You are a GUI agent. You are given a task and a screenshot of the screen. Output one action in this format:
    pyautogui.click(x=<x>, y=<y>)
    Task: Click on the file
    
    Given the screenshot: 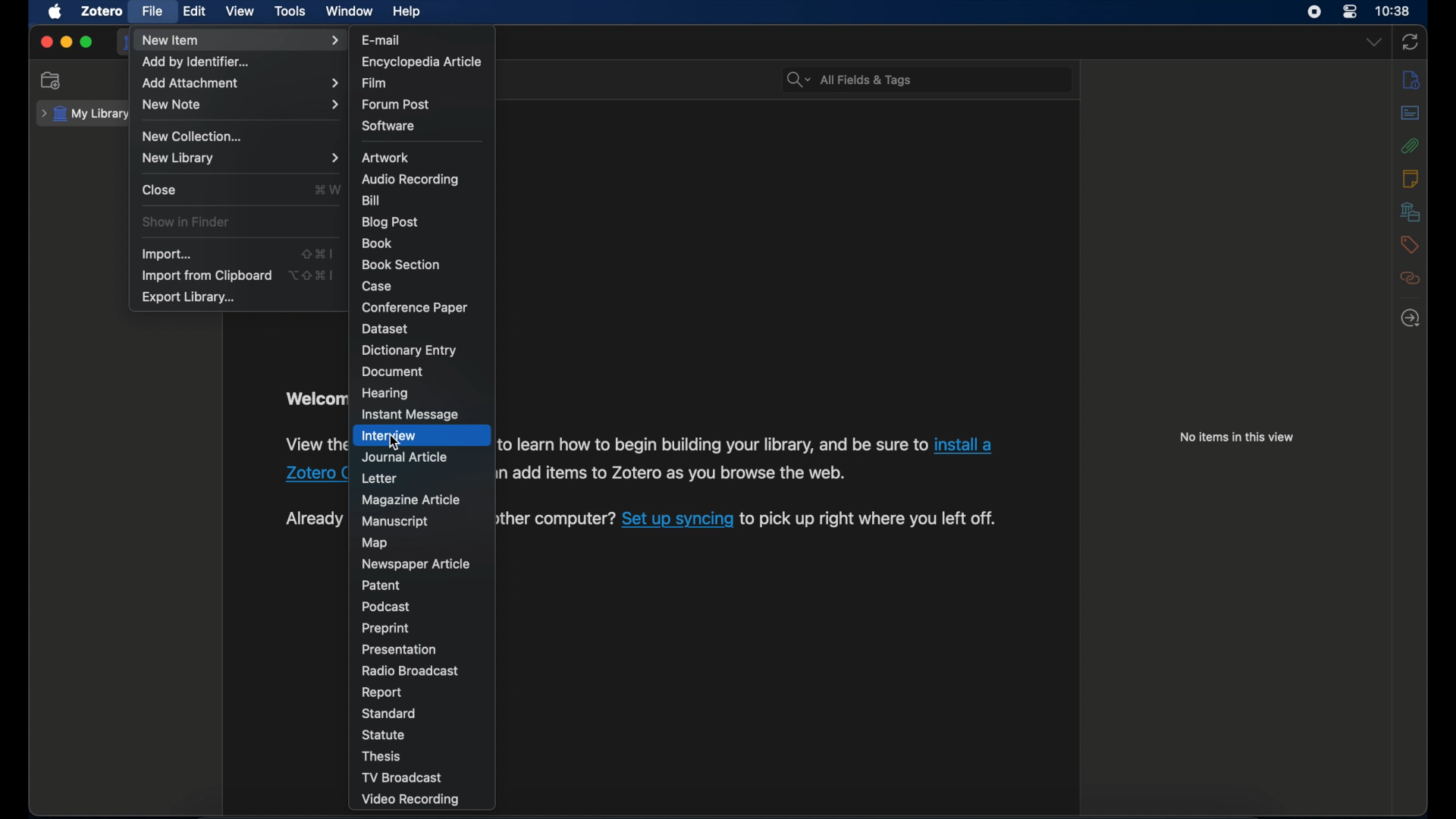 What is the action you would take?
    pyautogui.click(x=153, y=12)
    